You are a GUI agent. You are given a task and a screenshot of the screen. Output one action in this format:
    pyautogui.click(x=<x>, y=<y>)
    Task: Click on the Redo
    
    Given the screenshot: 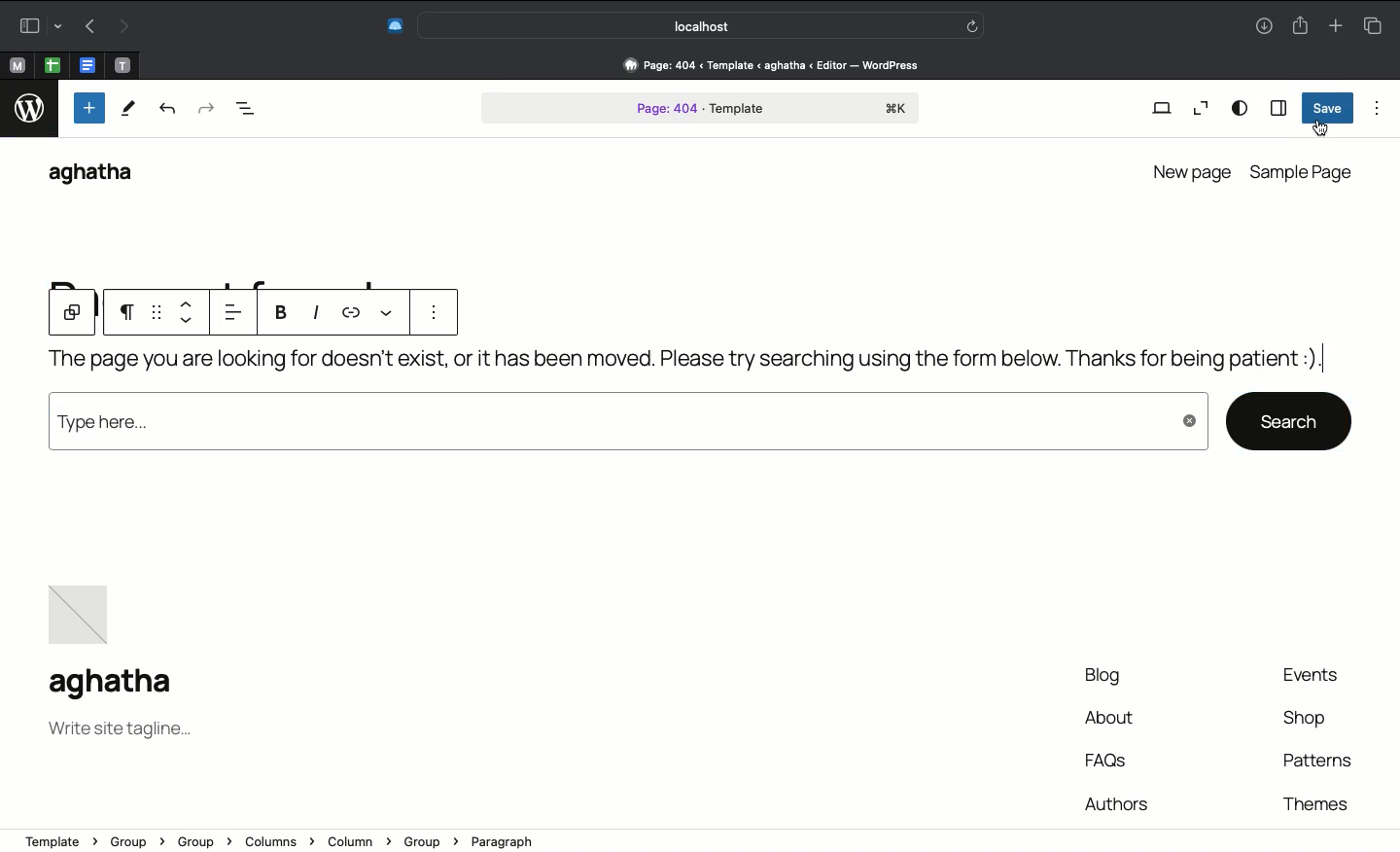 What is the action you would take?
    pyautogui.click(x=205, y=110)
    